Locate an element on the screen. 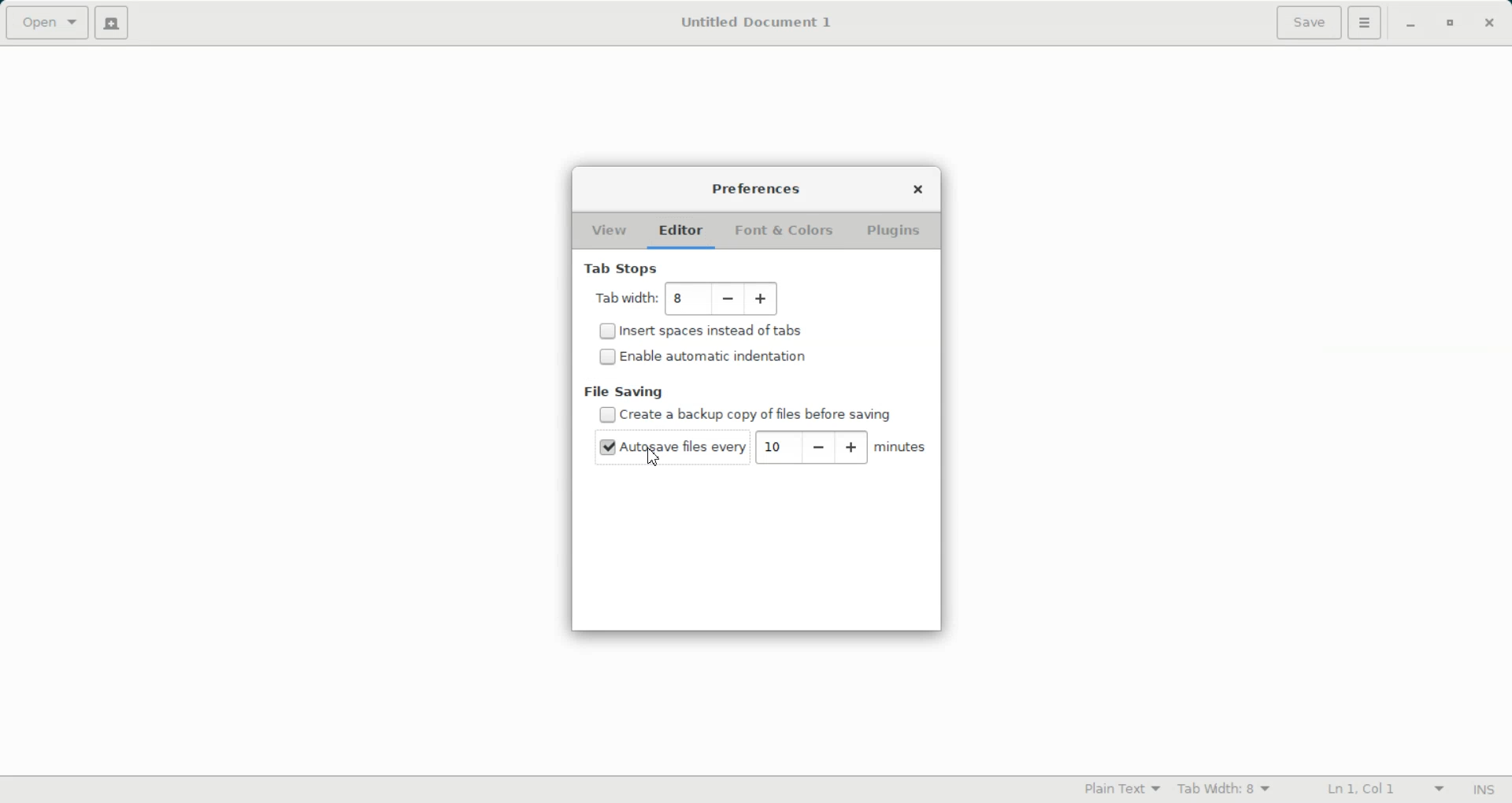  (un)check Insert spaces instead of tabs is located at coordinates (702, 332).